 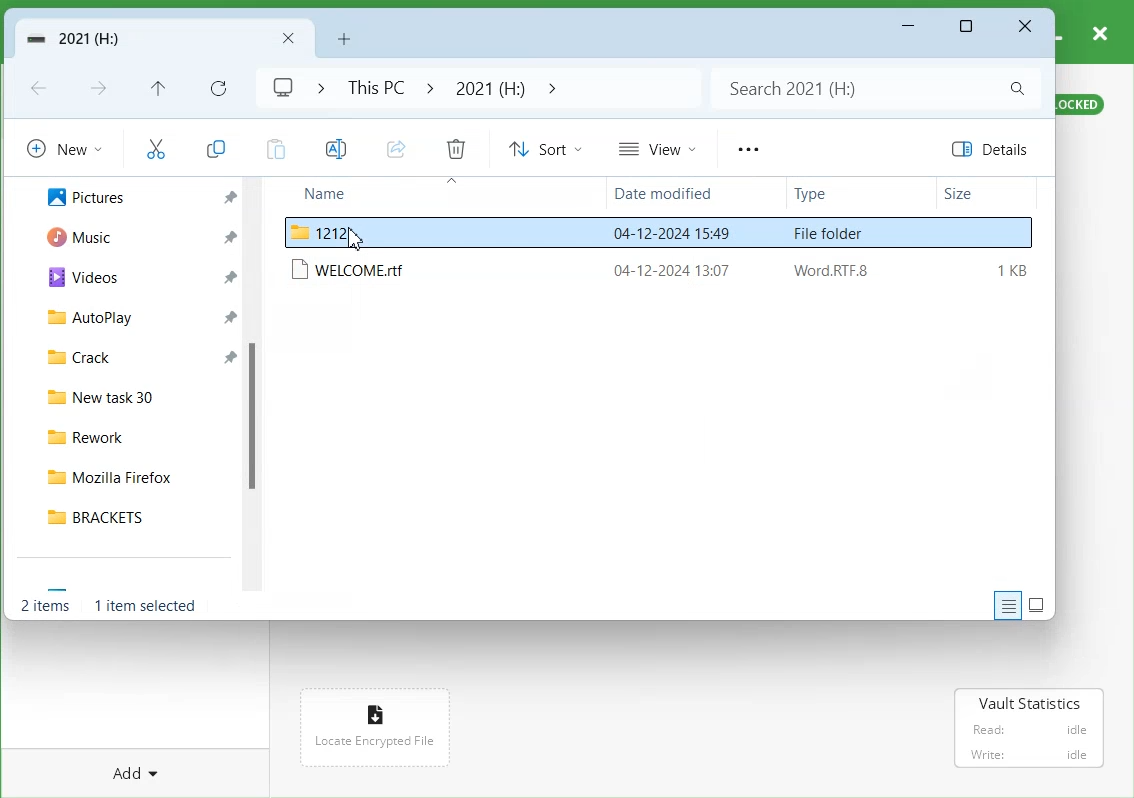 What do you see at coordinates (873, 88) in the screenshot?
I see `Search bar` at bounding box center [873, 88].